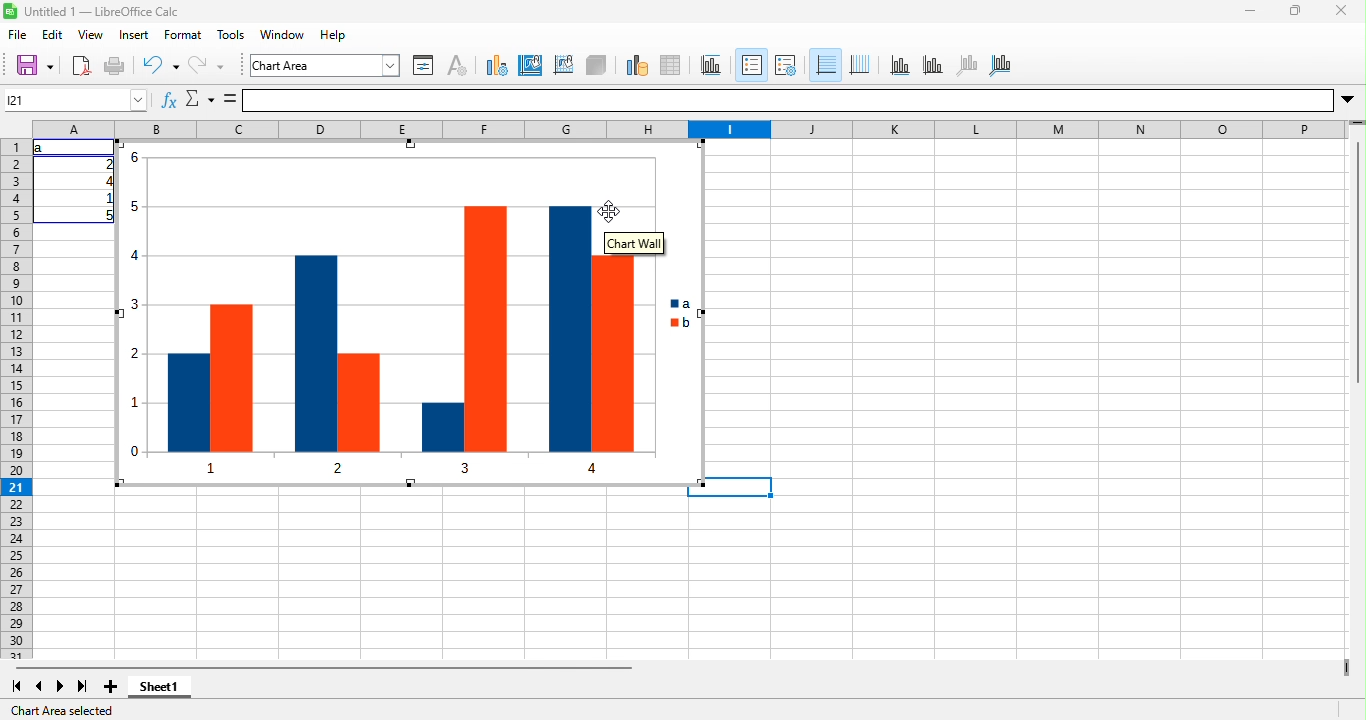 The width and height of the screenshot is (1366, 720). What do you see at coordinates (60, 686) in the screenshot?
I see `next sheet` at bounding box center [60, 686].